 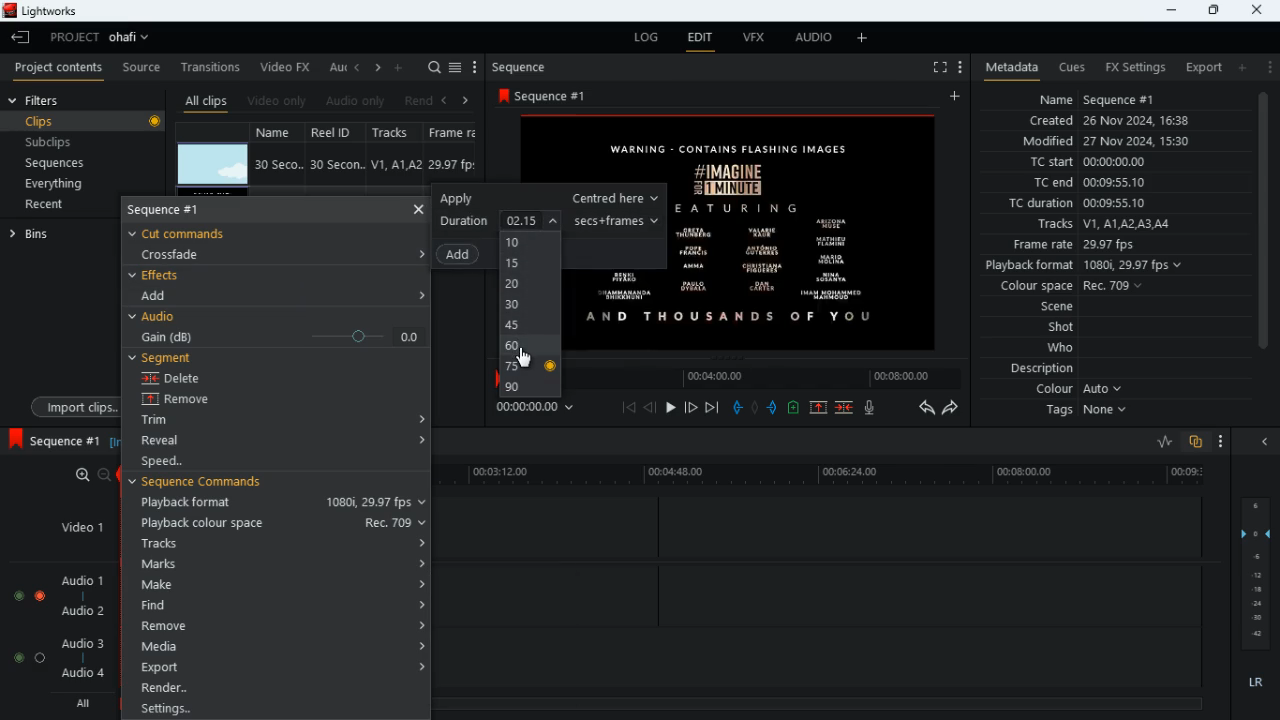 I want to click on sequence, so click(x=53, y=440).